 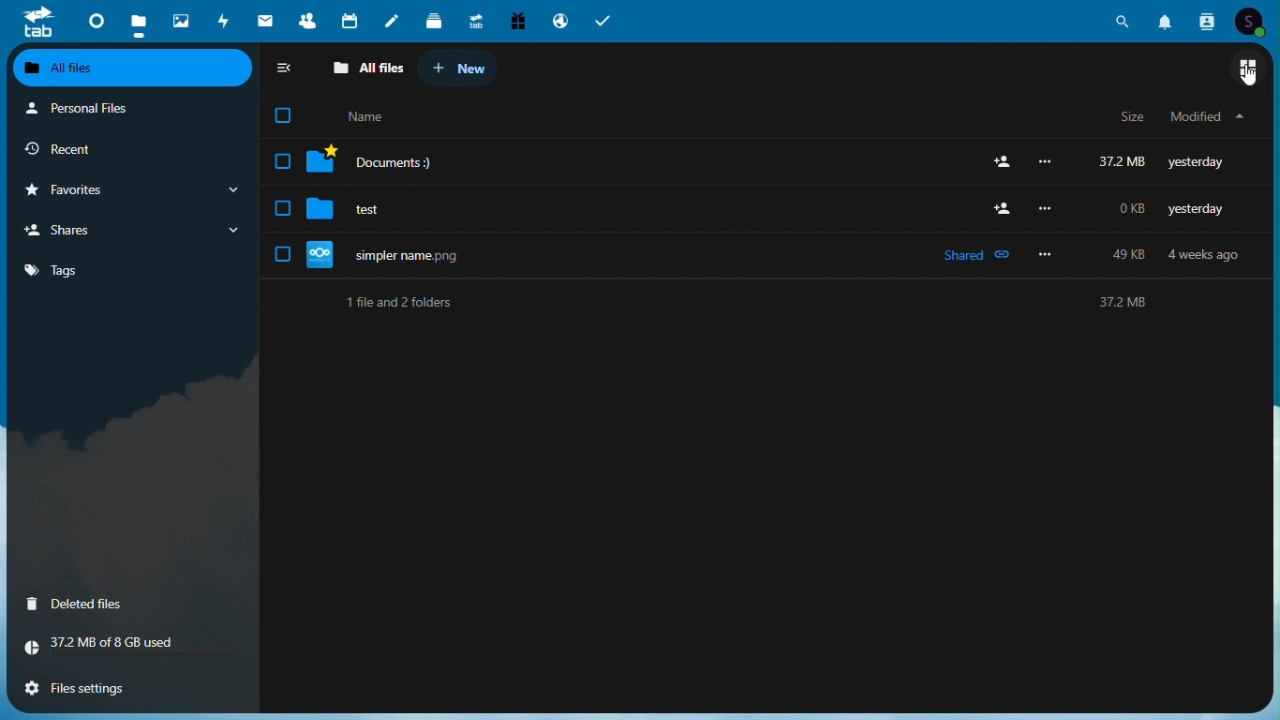 What do you see at coordinates (134, 150) in the screenshot?
I see `Recent` at bounding box center [134, 150].